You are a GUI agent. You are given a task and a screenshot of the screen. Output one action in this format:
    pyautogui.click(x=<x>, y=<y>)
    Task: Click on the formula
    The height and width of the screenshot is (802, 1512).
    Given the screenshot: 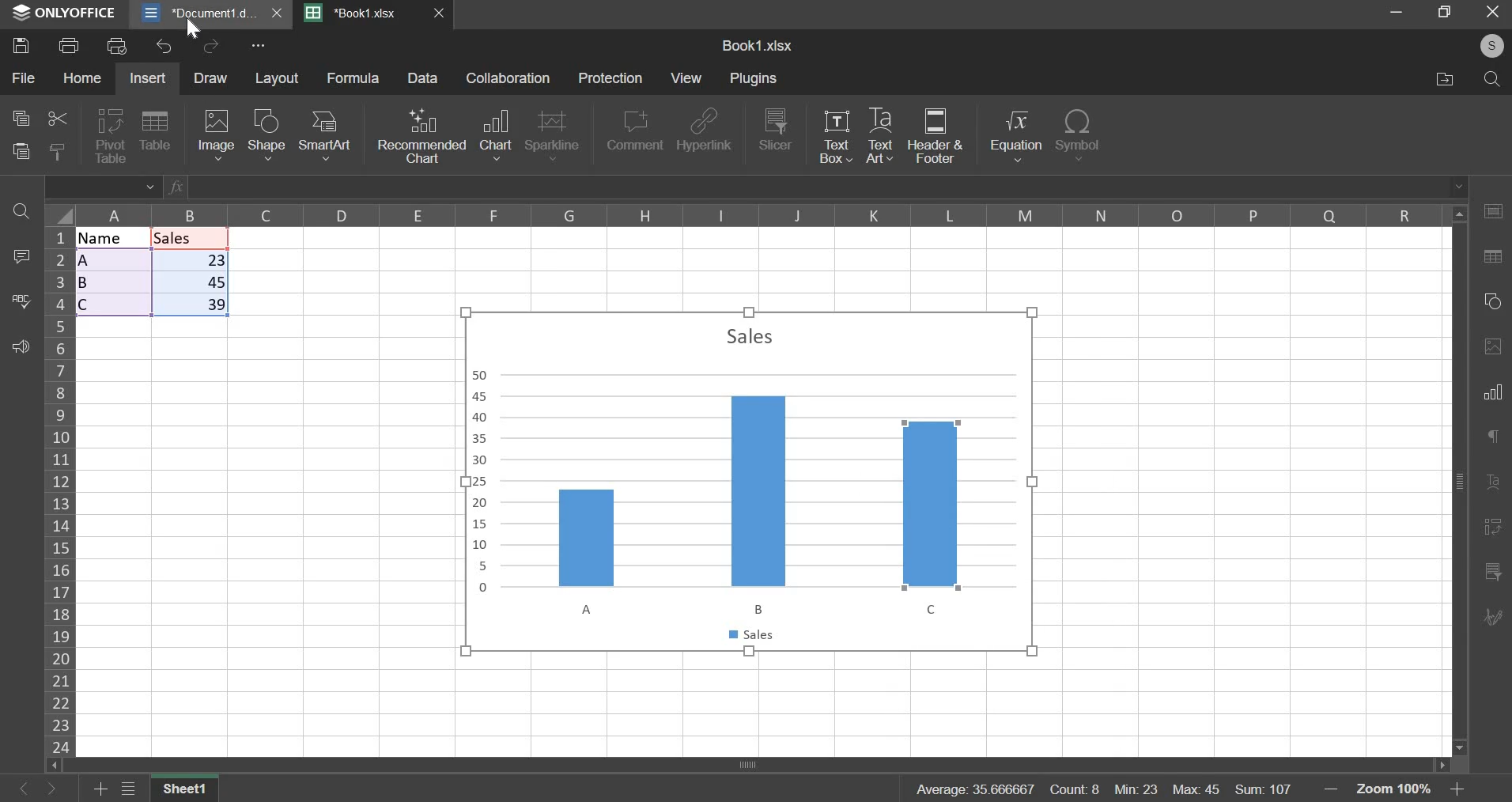 What is the action you would take?
    pyautogui.click(x=354, y=78)
    